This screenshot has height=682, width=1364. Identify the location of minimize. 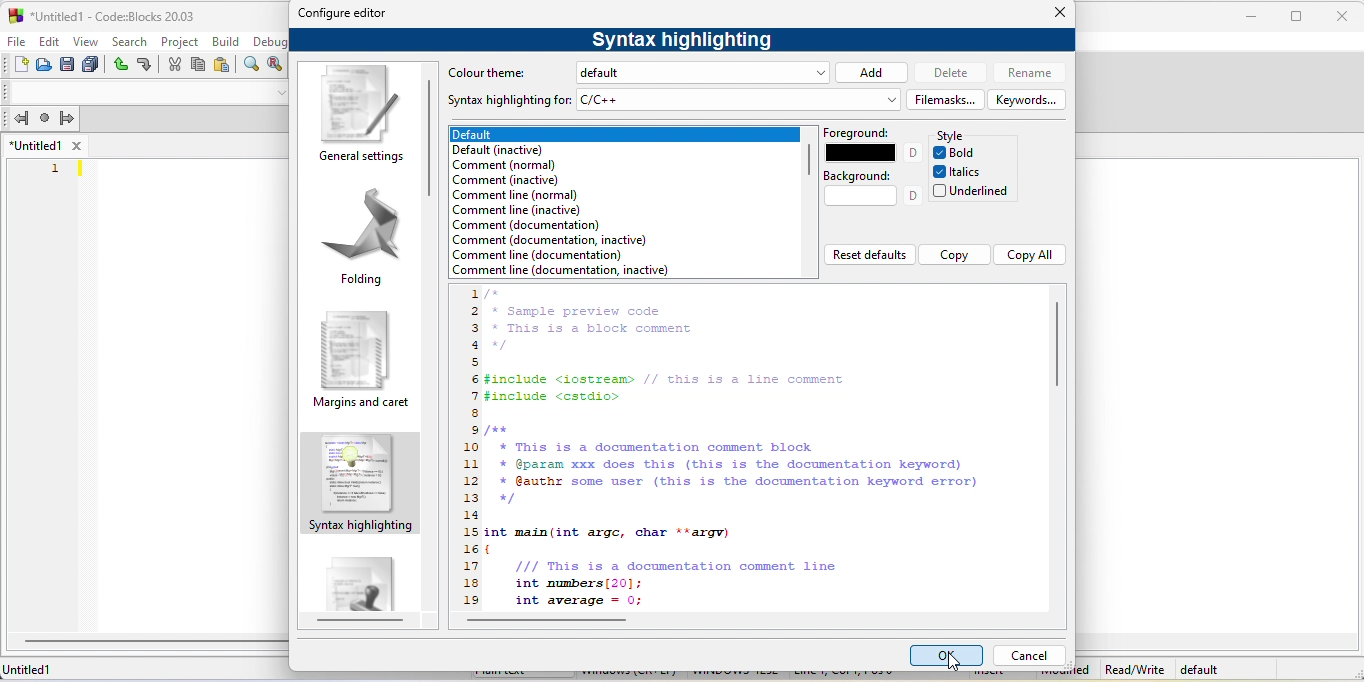
(1256, 16).